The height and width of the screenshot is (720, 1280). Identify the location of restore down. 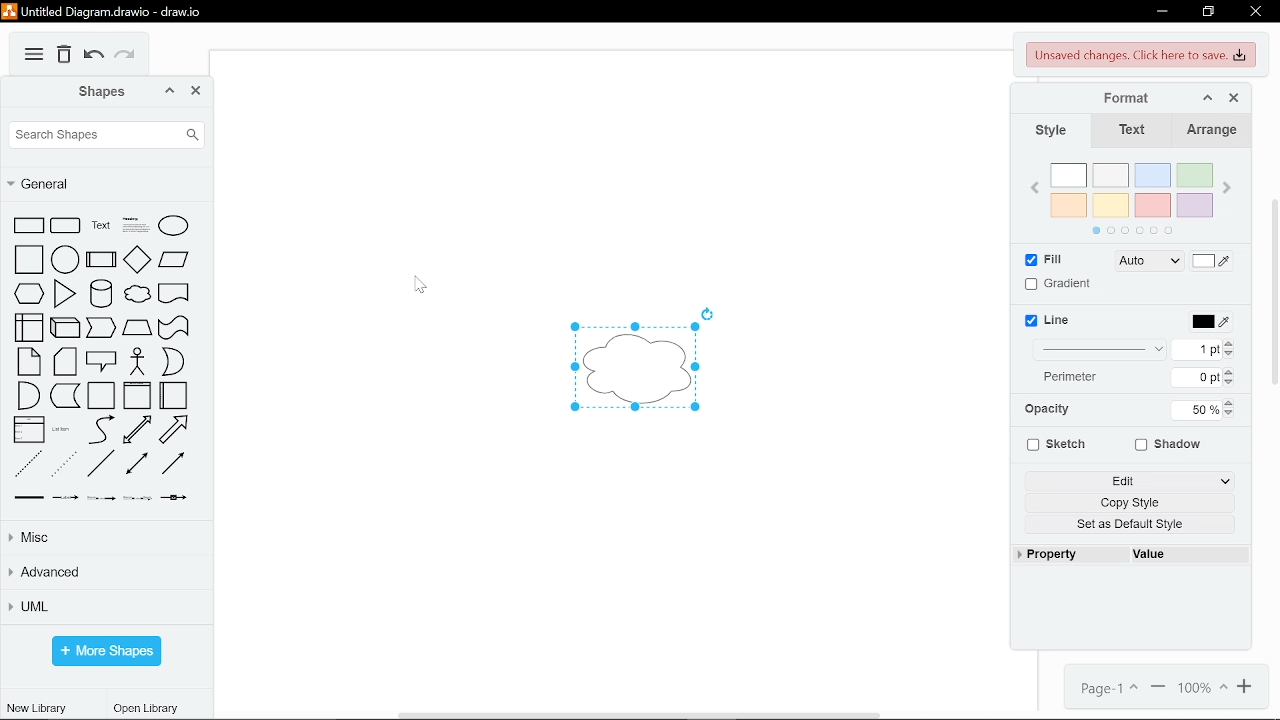
(1208, 11).